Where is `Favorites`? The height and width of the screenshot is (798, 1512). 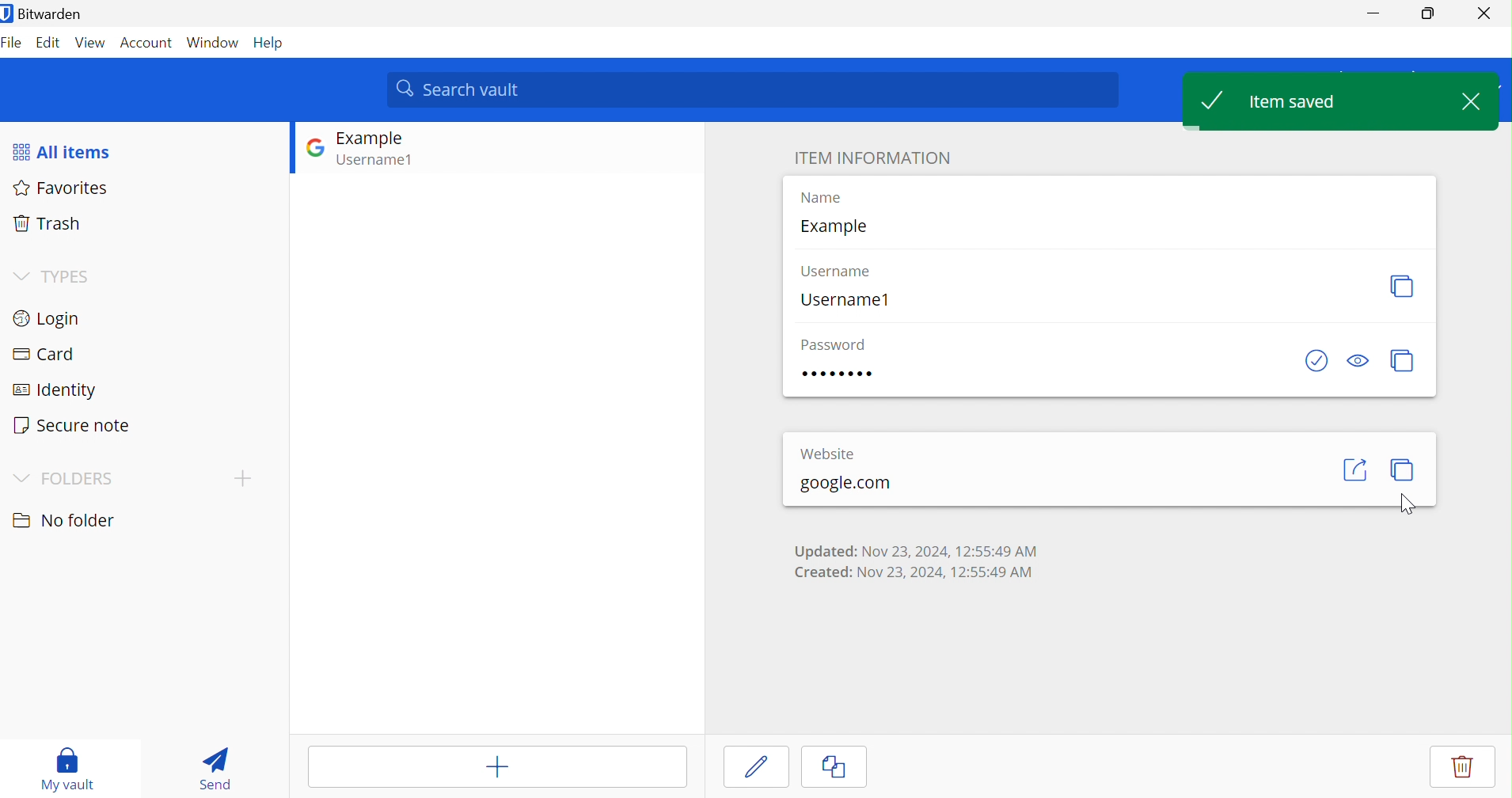
Favorites is located at coordinates (66, 189).